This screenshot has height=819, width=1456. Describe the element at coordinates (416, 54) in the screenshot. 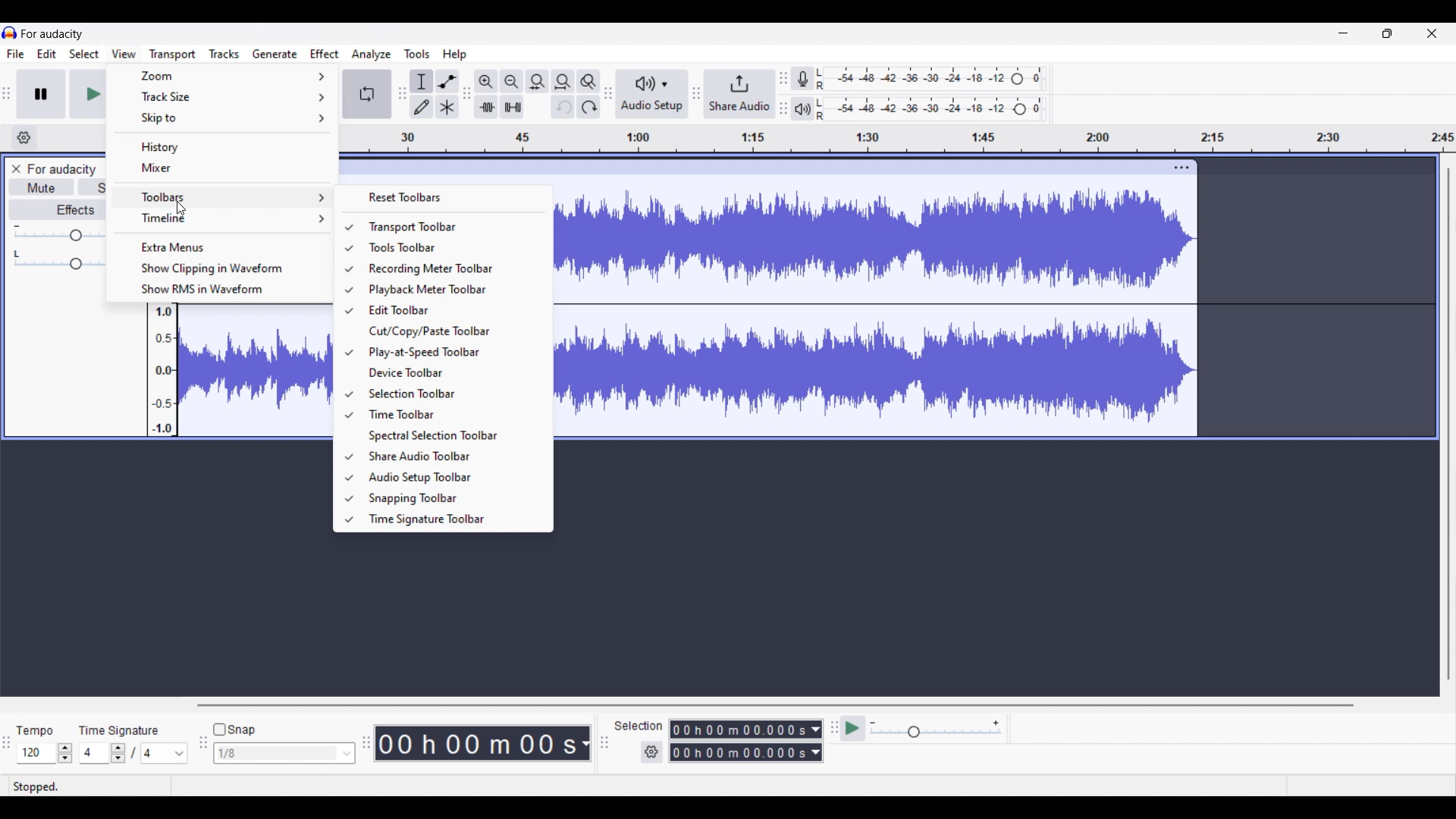

I see `Tools` at that location.